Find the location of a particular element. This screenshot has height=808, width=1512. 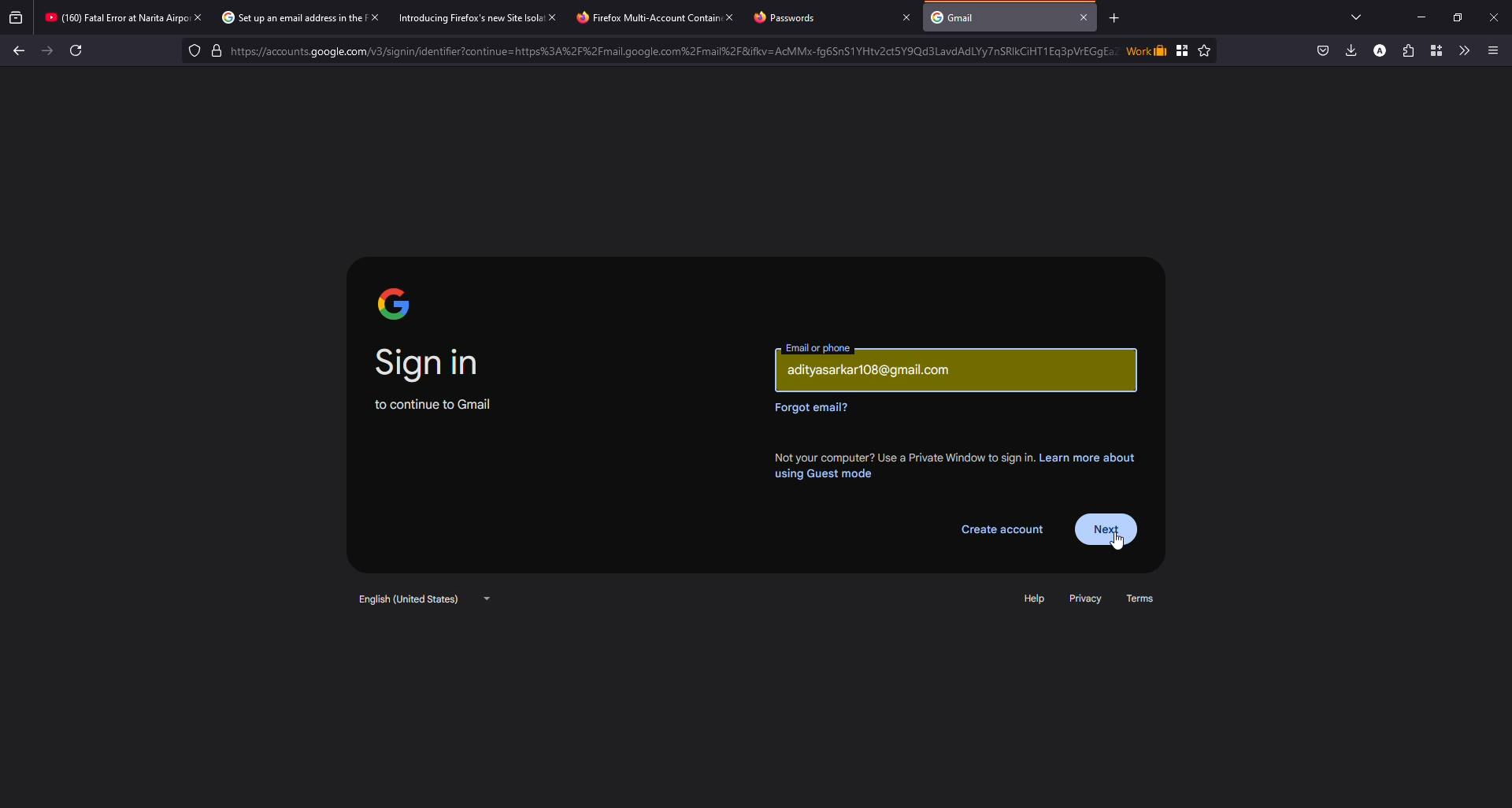

Cursor is located at coordinates (1119, 543).